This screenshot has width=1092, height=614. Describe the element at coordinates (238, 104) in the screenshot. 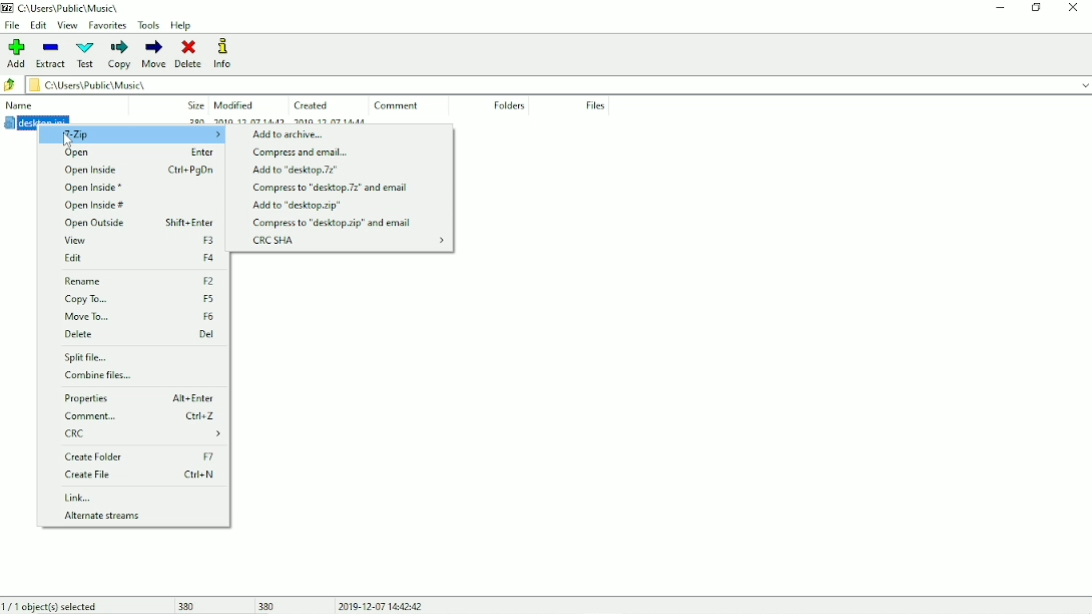

I see `Modified` at that location.